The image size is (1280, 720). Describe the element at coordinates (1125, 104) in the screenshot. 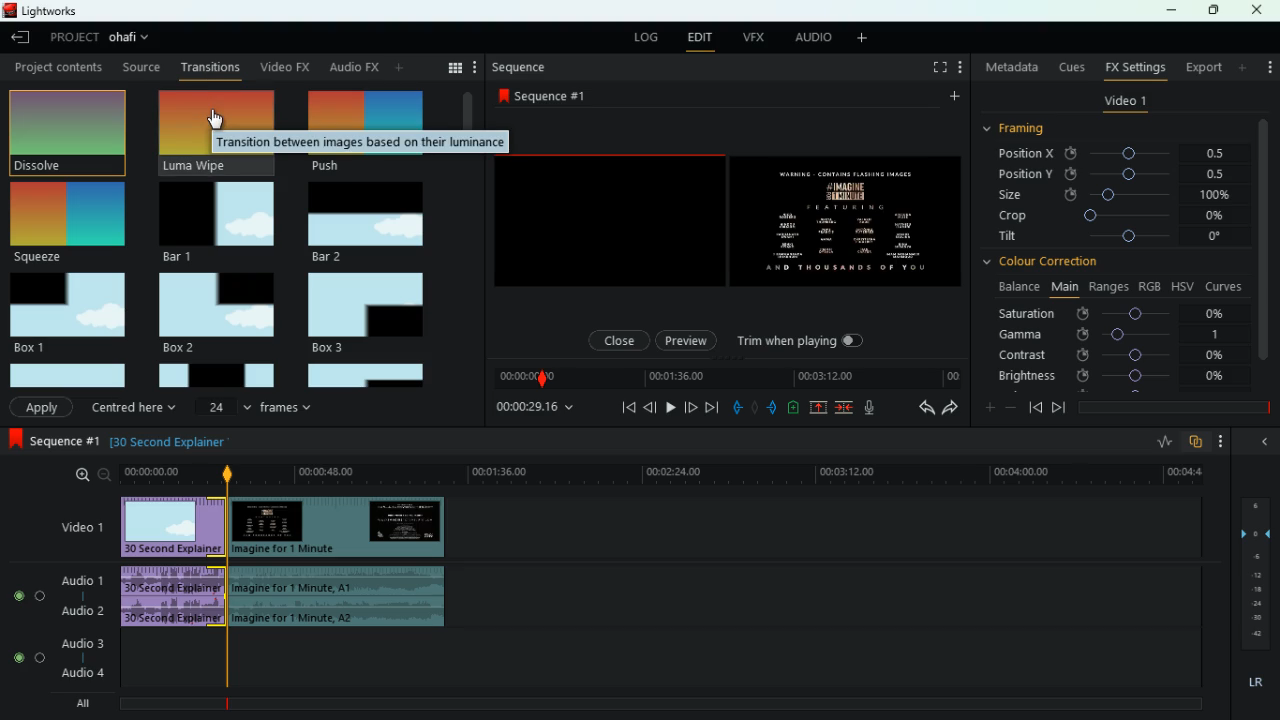

I see `video 1` at that location.